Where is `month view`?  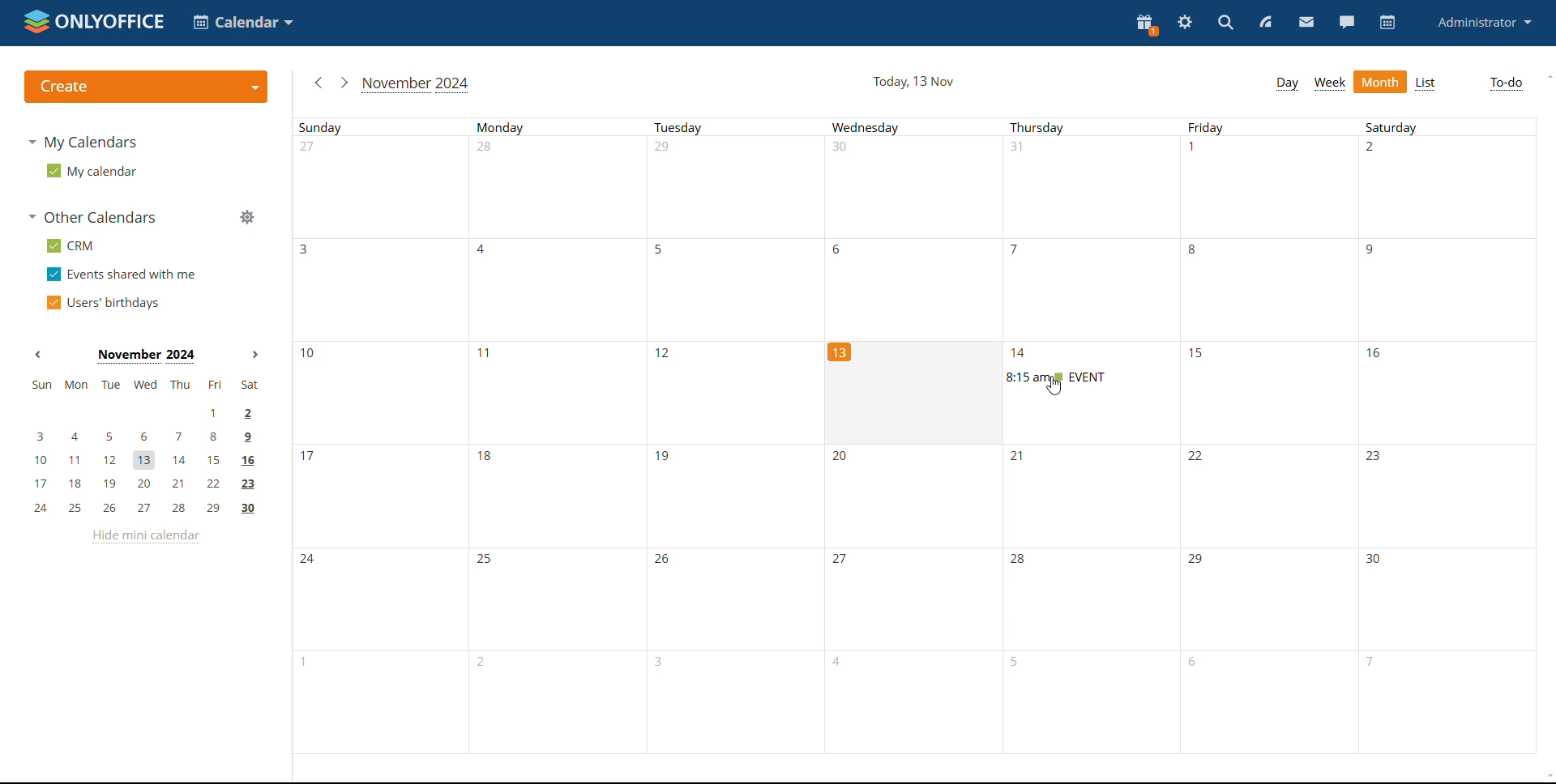
month view is located at coordinates (1381, 82).